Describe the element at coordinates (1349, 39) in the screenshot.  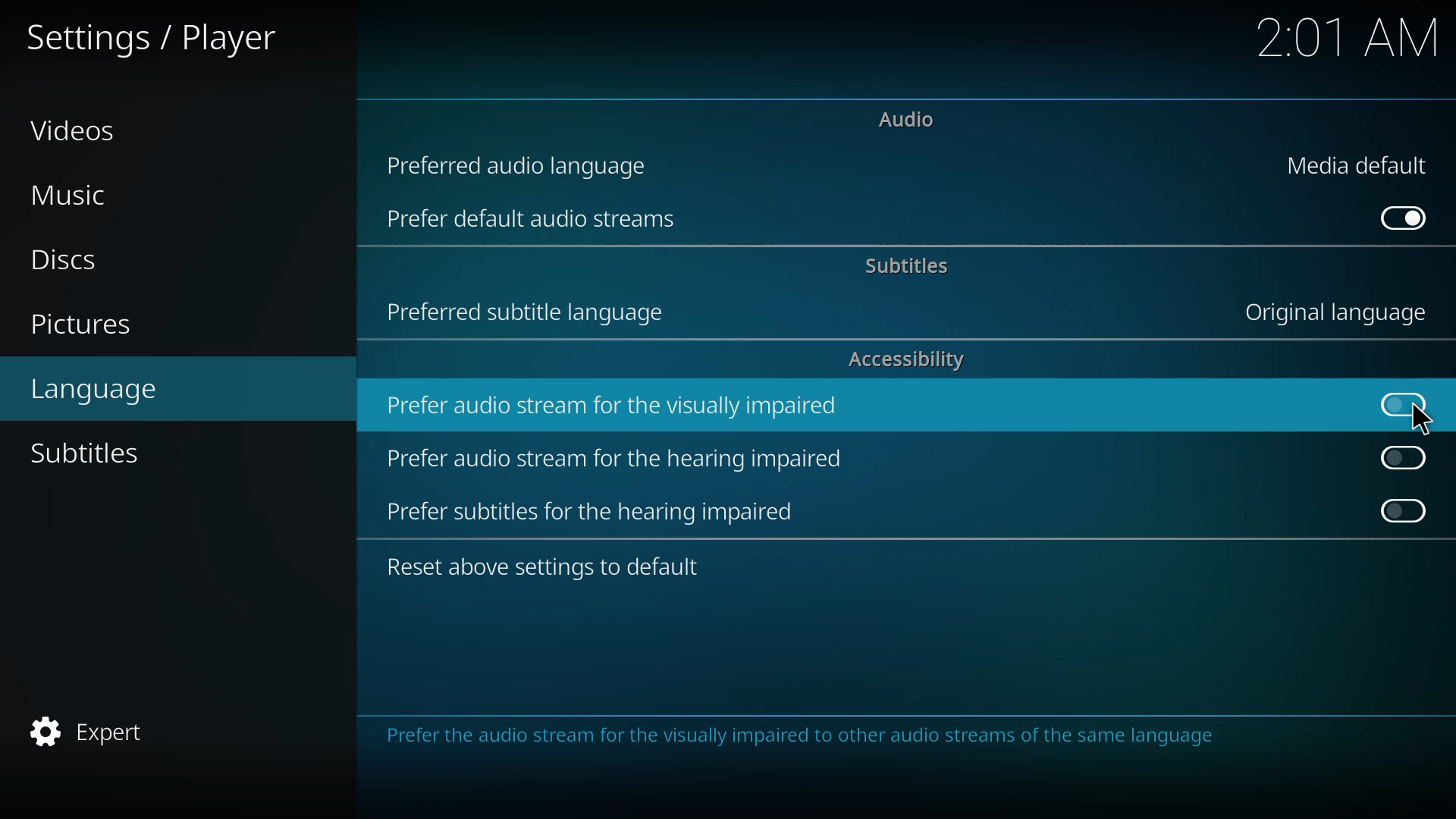
I see `time` at that location.